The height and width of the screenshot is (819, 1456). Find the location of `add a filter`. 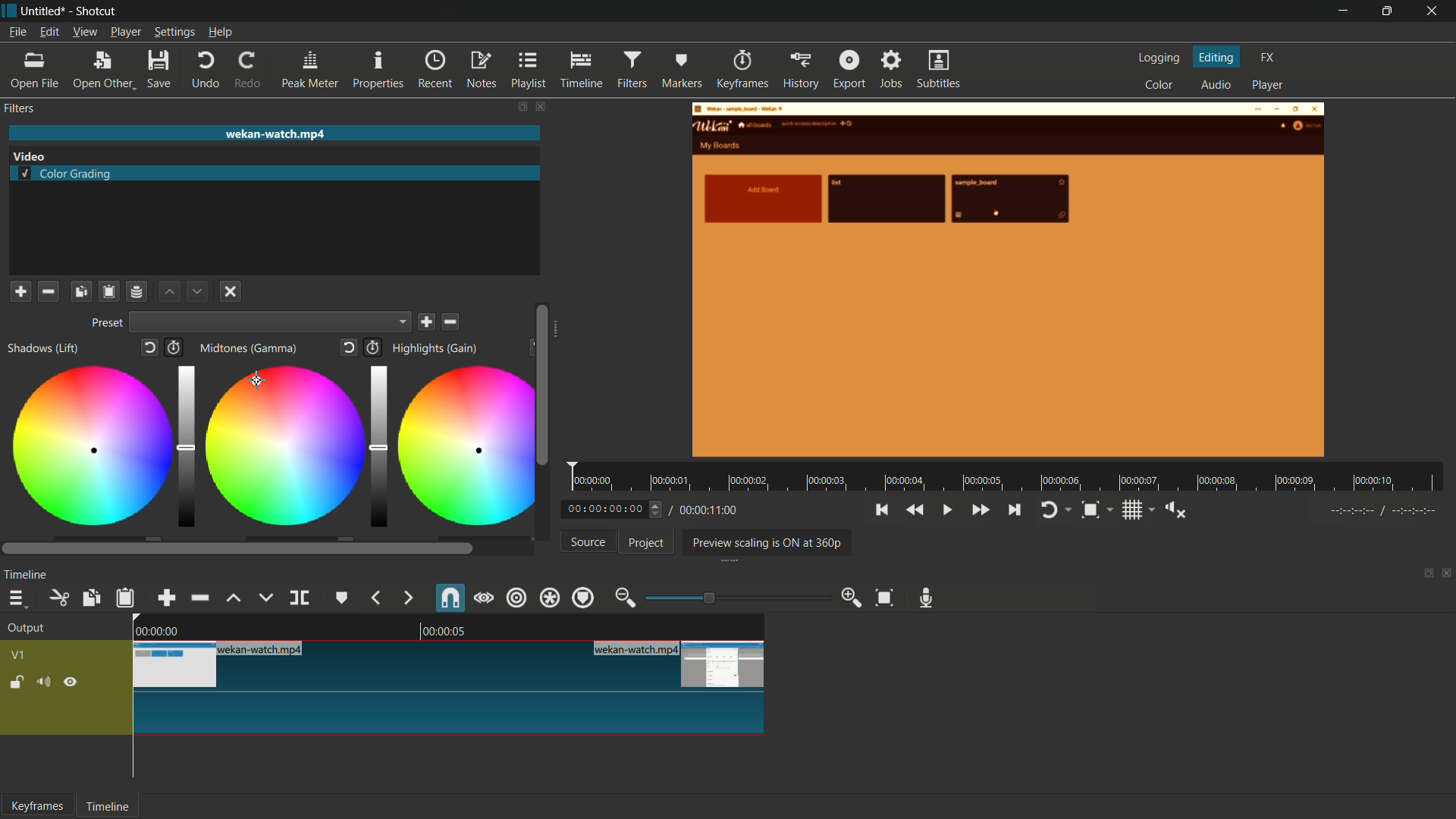

add a filter is located at coordinates (20, 291).